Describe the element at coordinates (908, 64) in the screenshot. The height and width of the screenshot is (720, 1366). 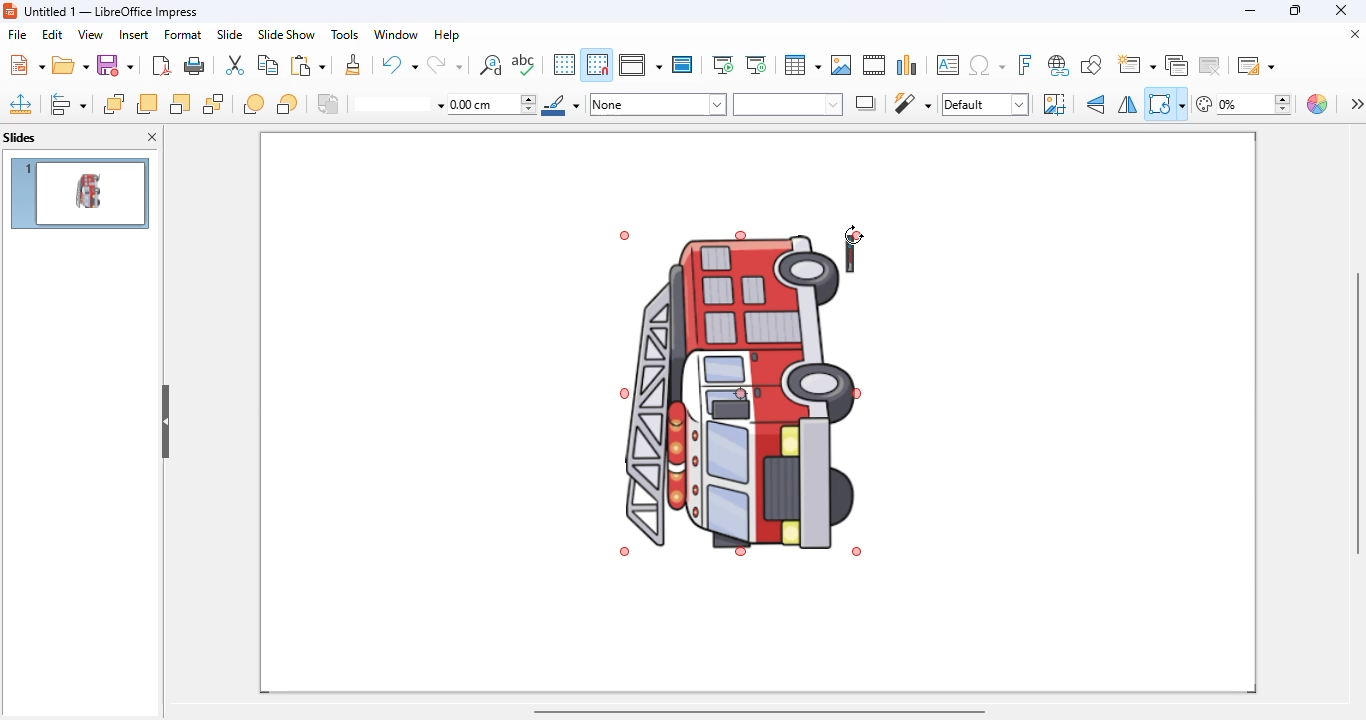
I see `insert chart` at that location.